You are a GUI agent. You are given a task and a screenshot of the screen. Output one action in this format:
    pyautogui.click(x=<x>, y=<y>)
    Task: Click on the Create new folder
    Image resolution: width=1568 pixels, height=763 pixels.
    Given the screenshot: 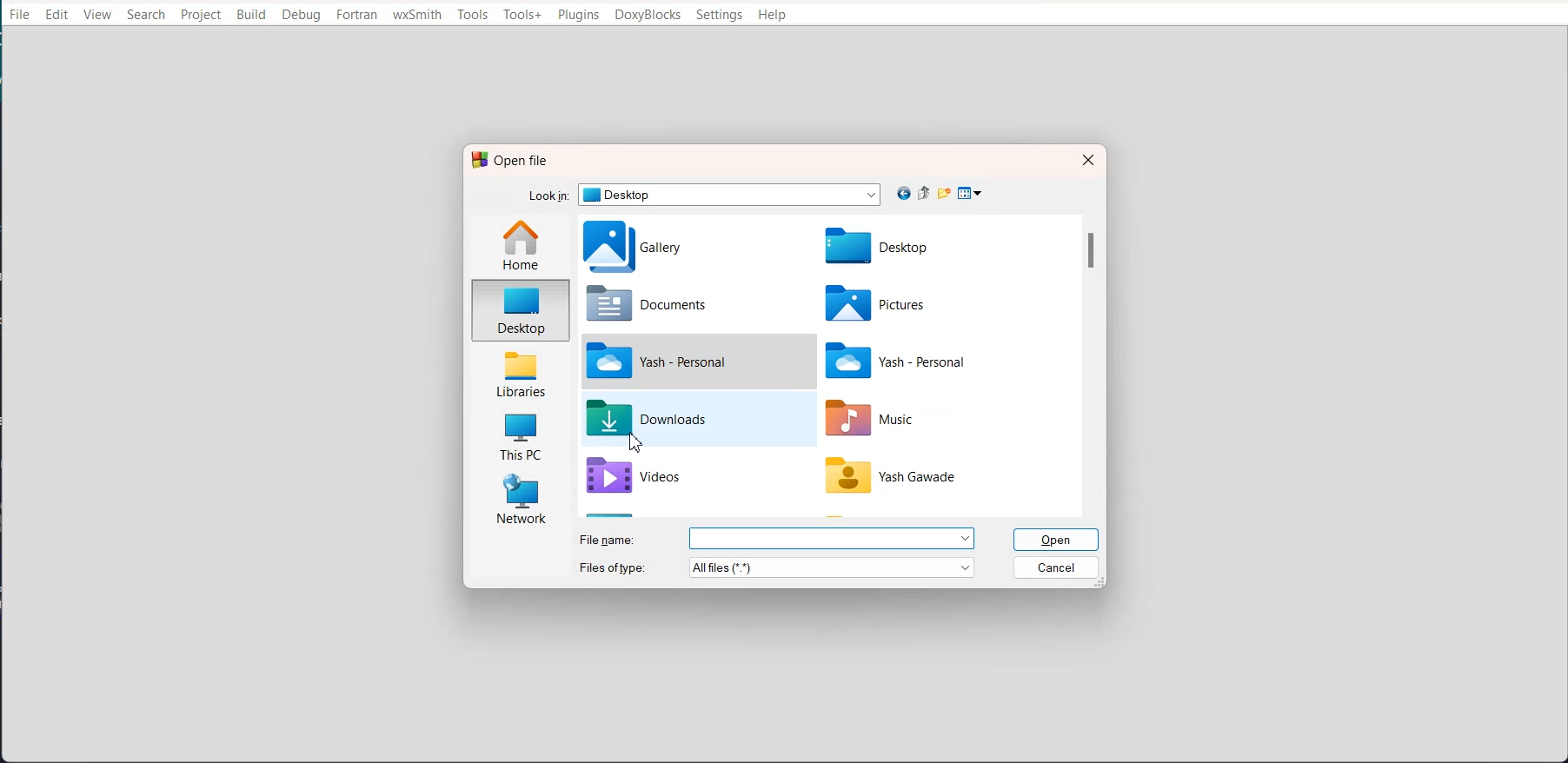 What is the action you would take?
    pyautogui.click(x=947, y=193)
    